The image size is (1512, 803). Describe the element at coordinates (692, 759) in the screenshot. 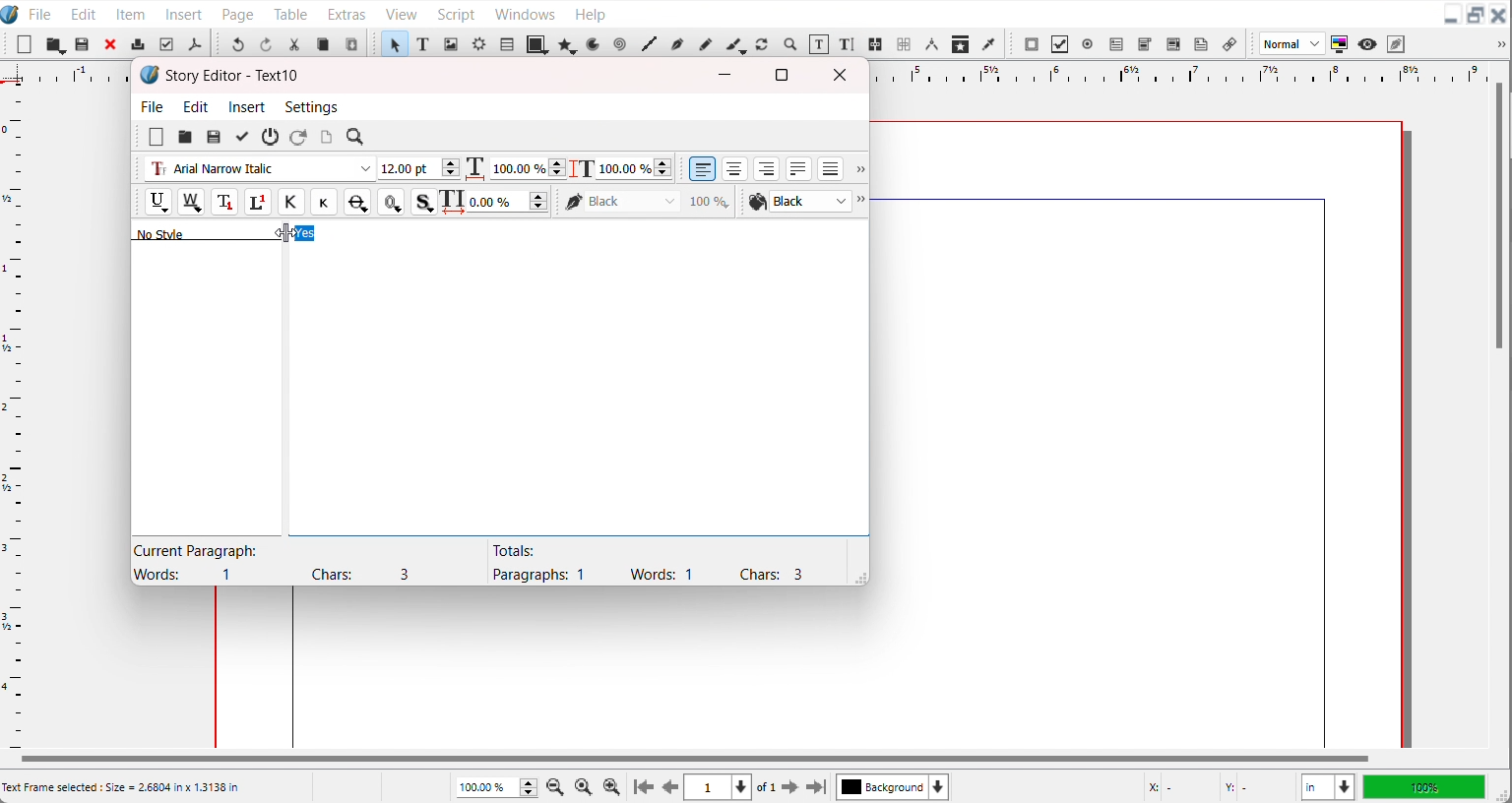

I see `Horizontal Scroll bar` at that location.